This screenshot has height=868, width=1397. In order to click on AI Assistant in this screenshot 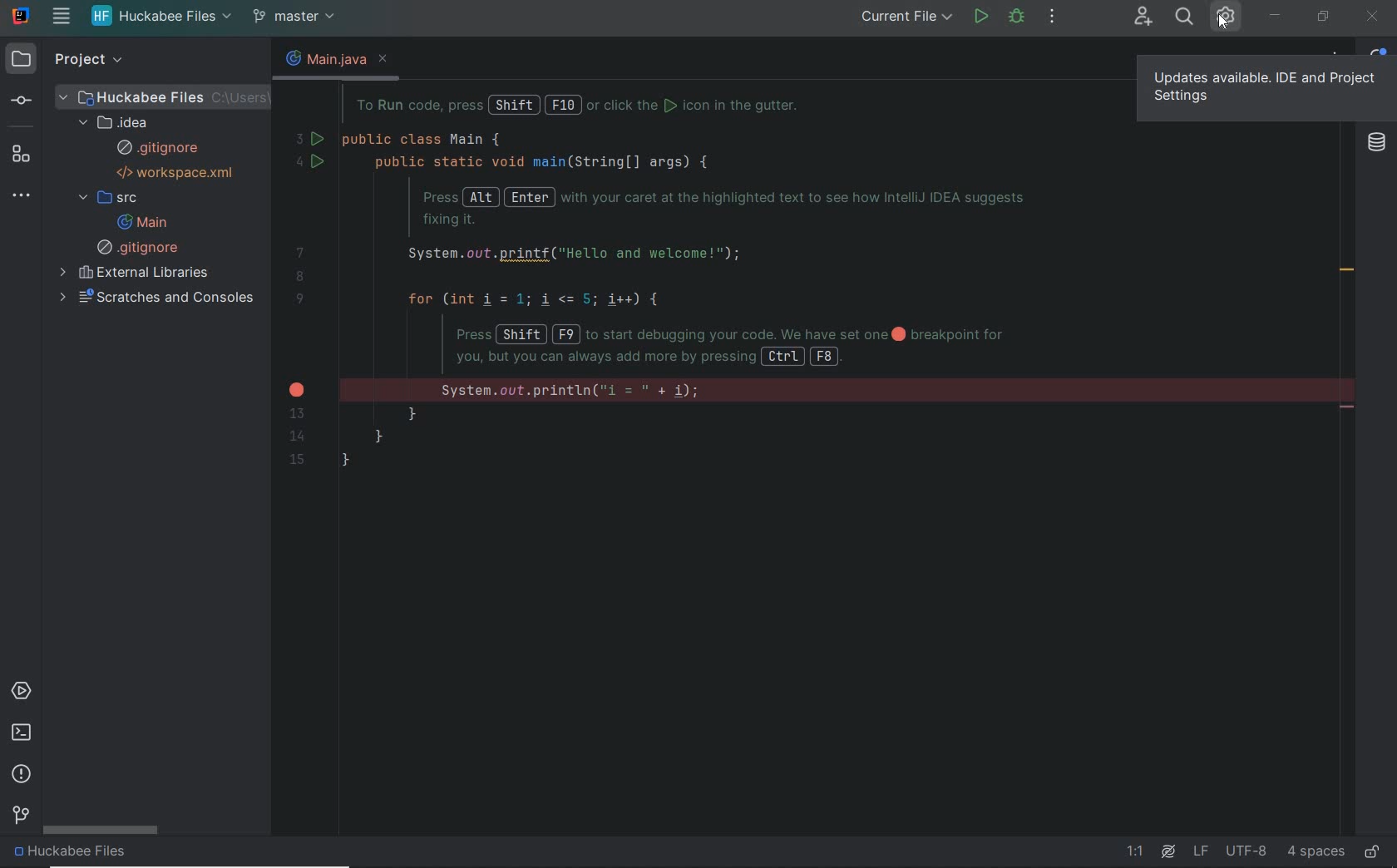, I will do `click(1168, 851)`.